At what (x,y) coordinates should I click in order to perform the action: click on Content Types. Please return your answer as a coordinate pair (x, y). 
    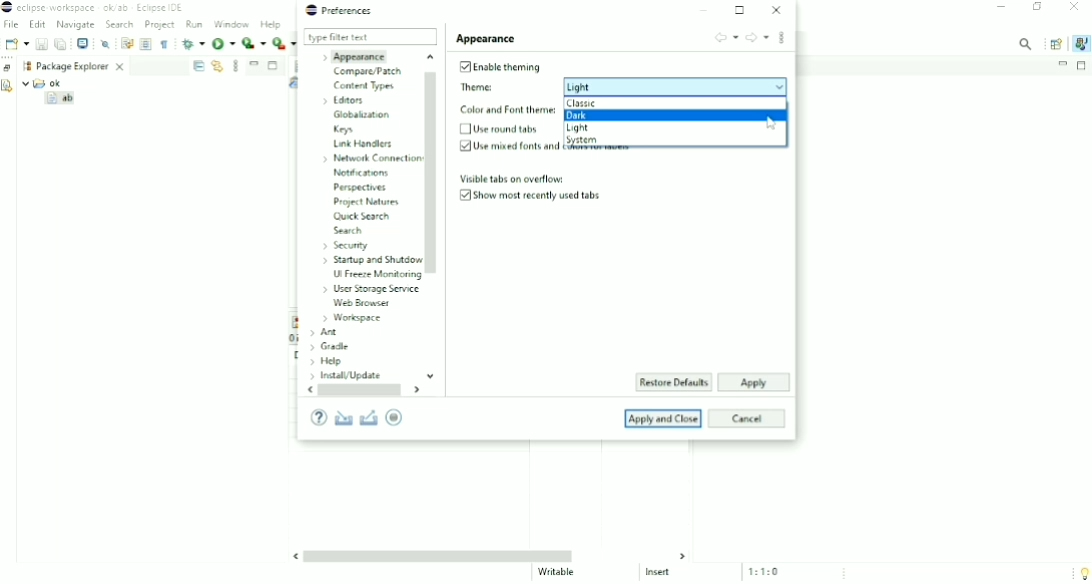
    Looking at the image, I should click on (364, 86).